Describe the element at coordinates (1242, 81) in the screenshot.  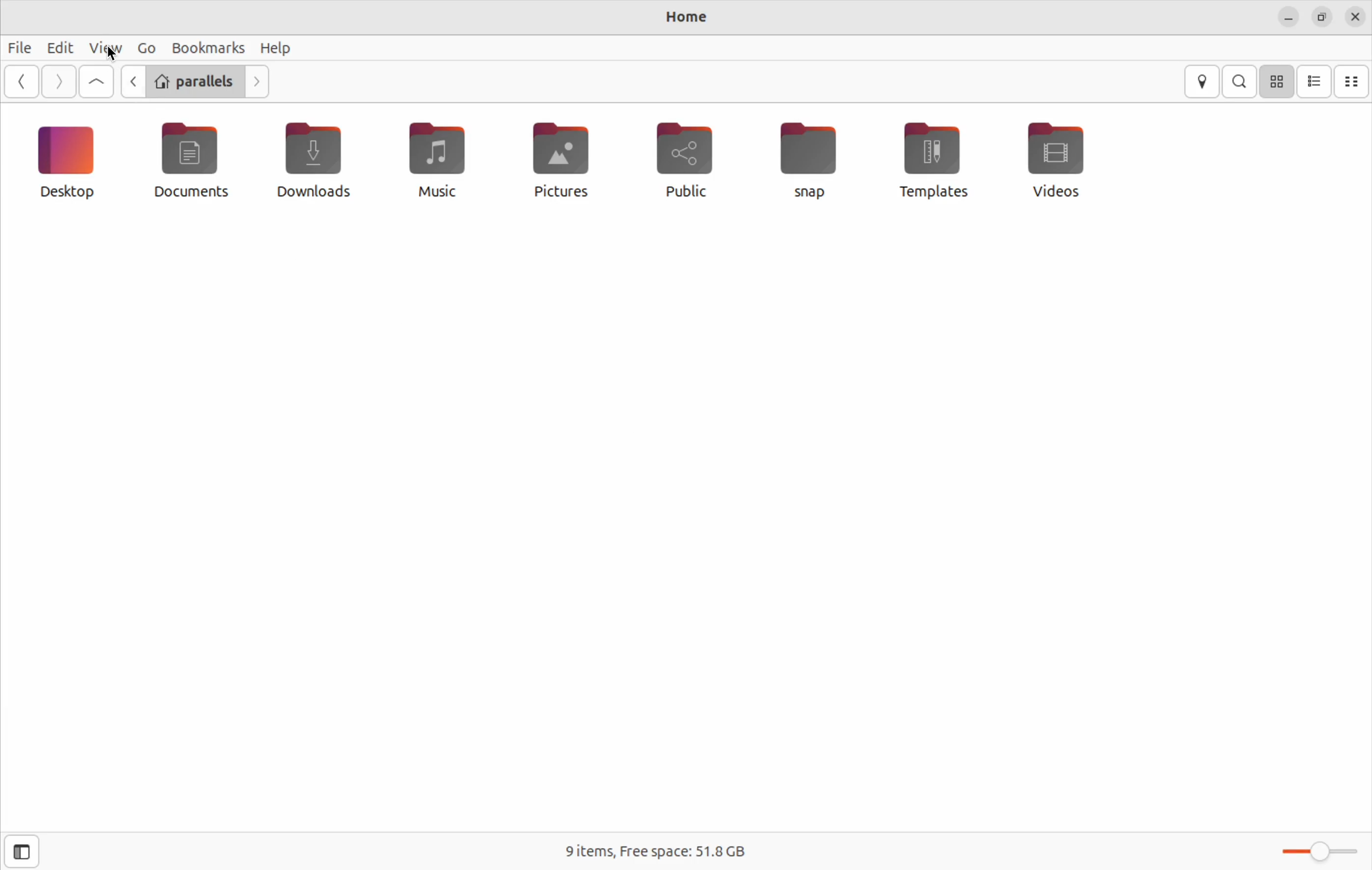
I see `search` at that location.